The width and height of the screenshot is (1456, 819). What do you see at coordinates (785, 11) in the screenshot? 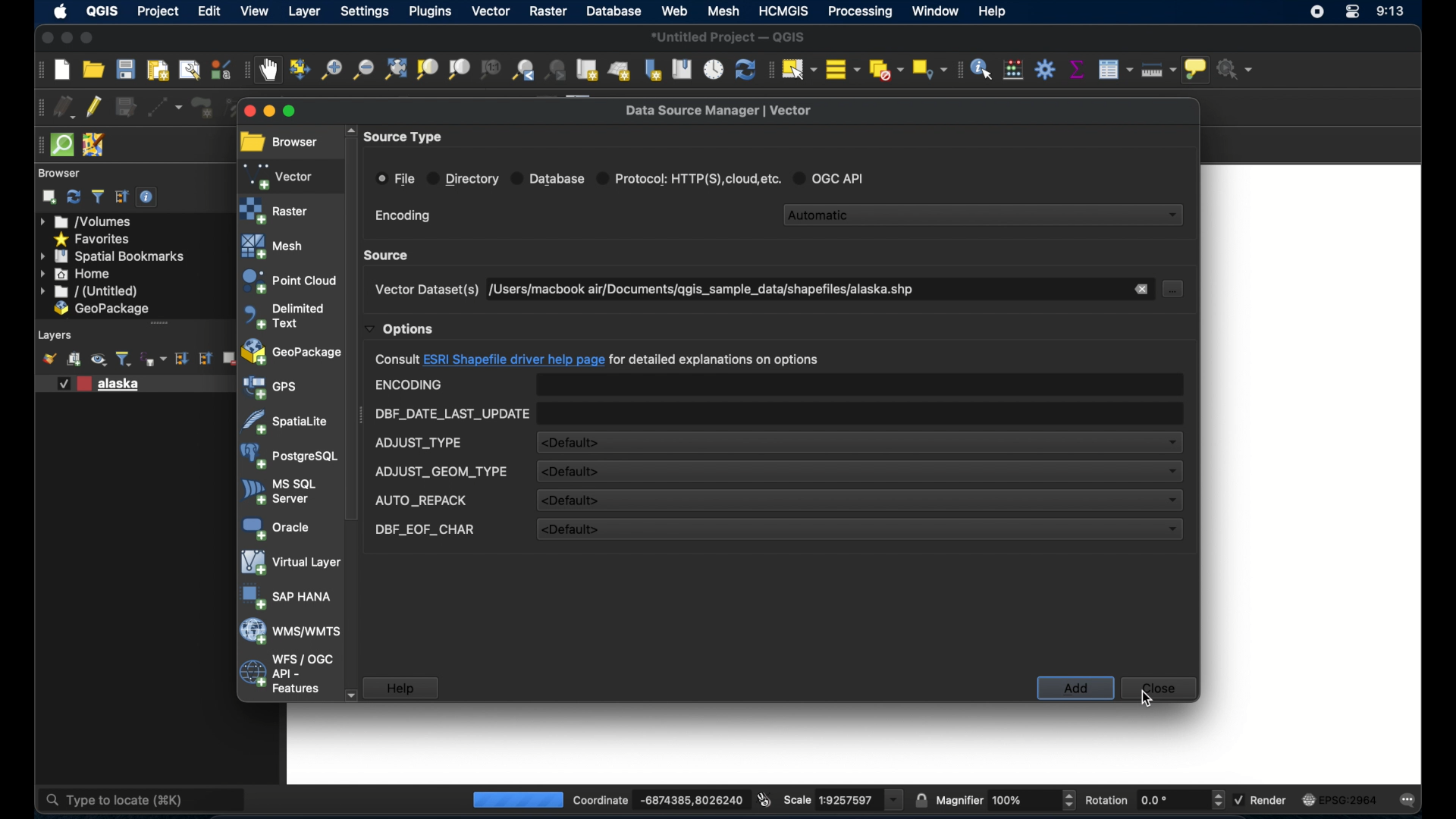
I see `HCMGIS` at bounding box center [785, 11].